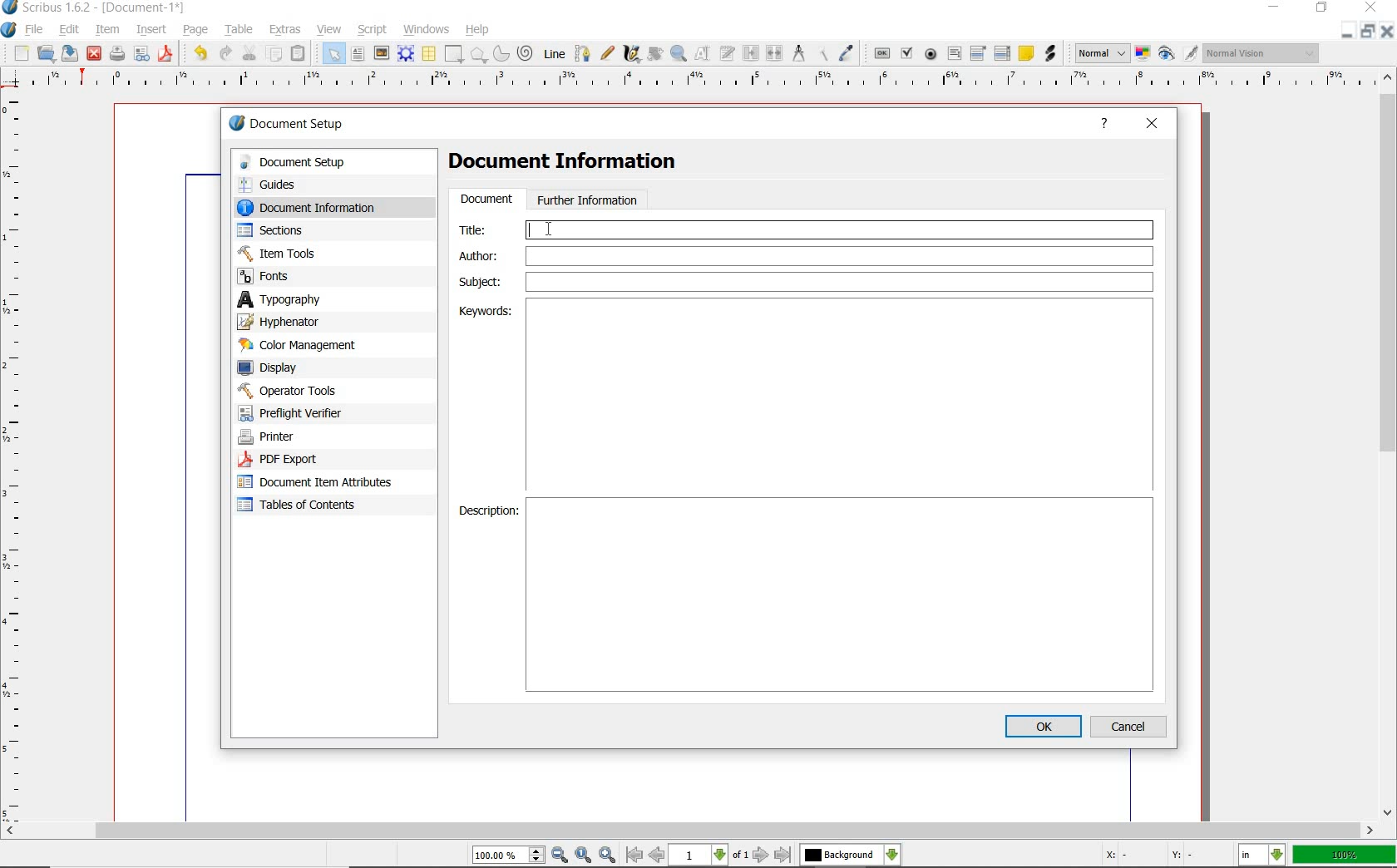  I want to click on unlink text frames, so click(775, 52).